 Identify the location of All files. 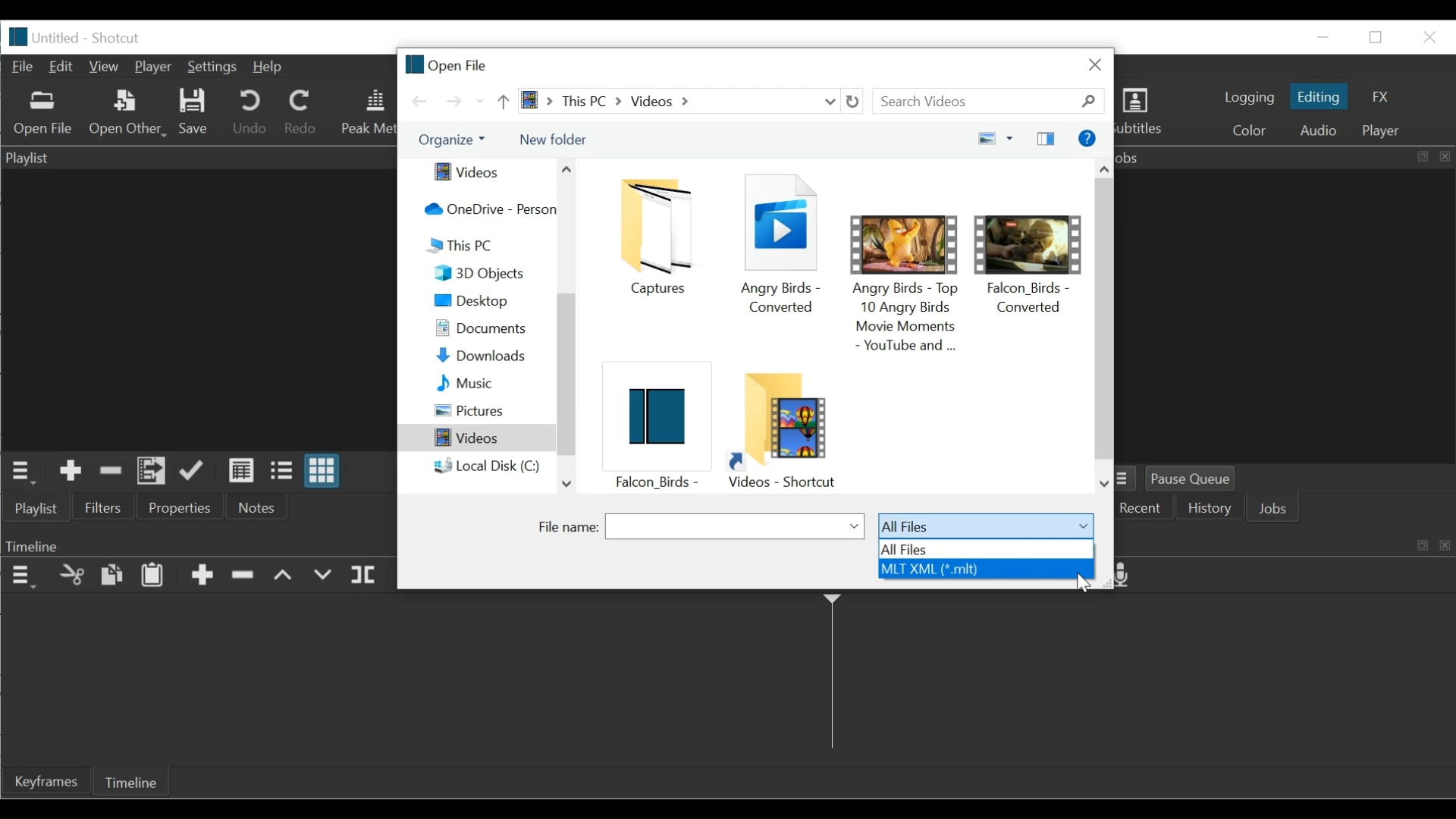
(986, 551).